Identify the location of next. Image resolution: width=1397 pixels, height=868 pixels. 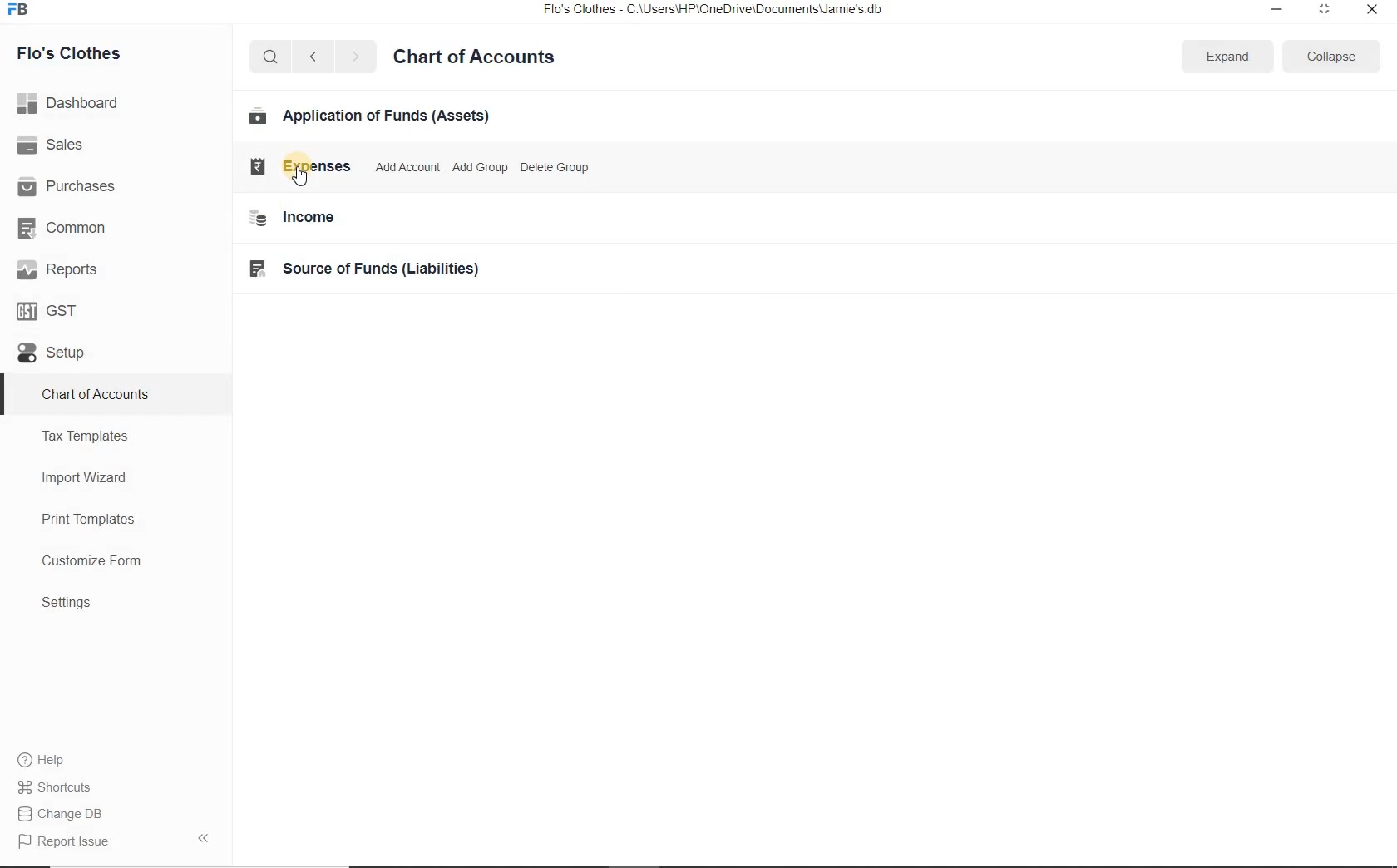
(355, 58).